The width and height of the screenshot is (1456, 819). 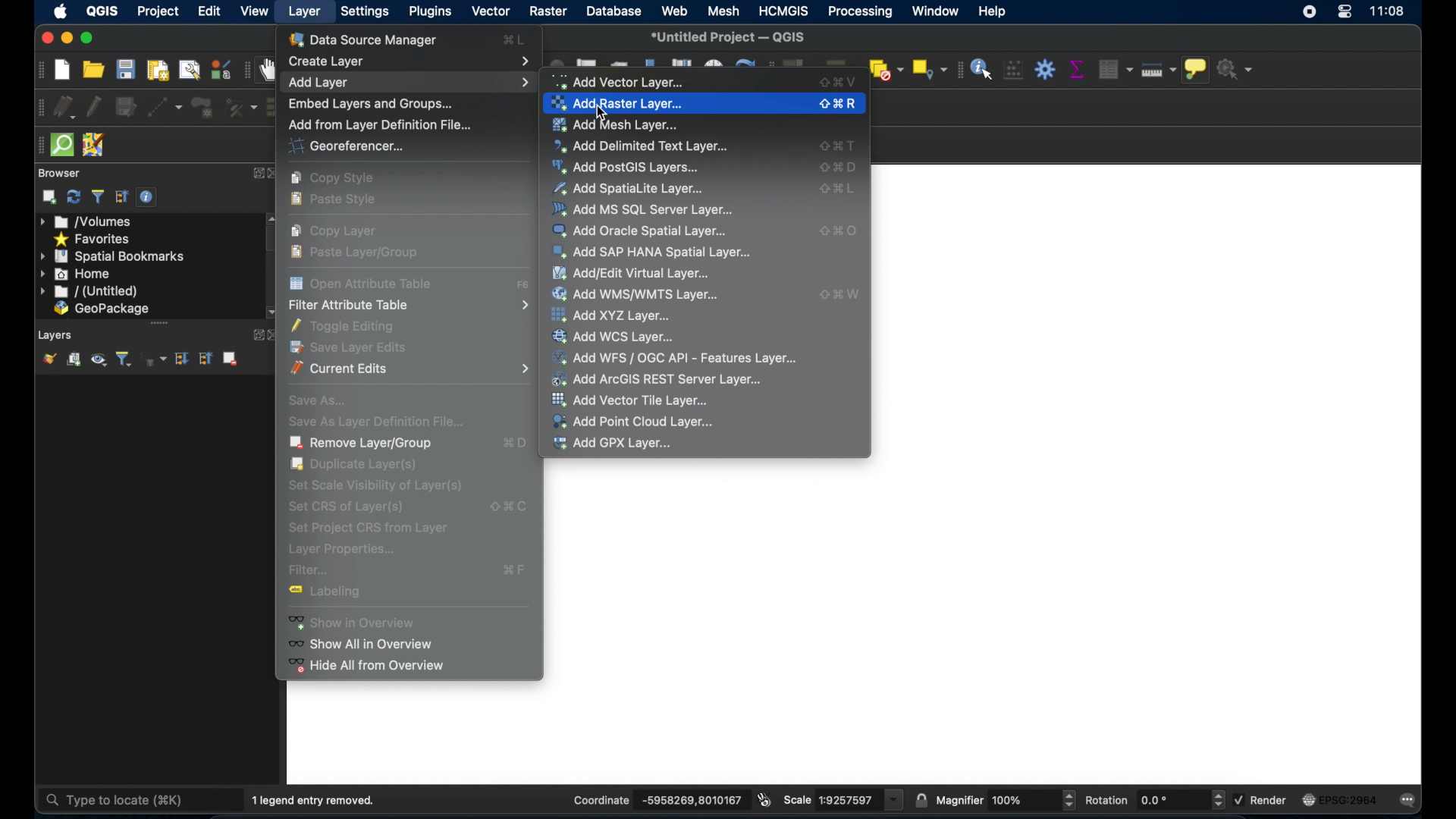 I want to click on data source manager, so click(x=368, y=39).